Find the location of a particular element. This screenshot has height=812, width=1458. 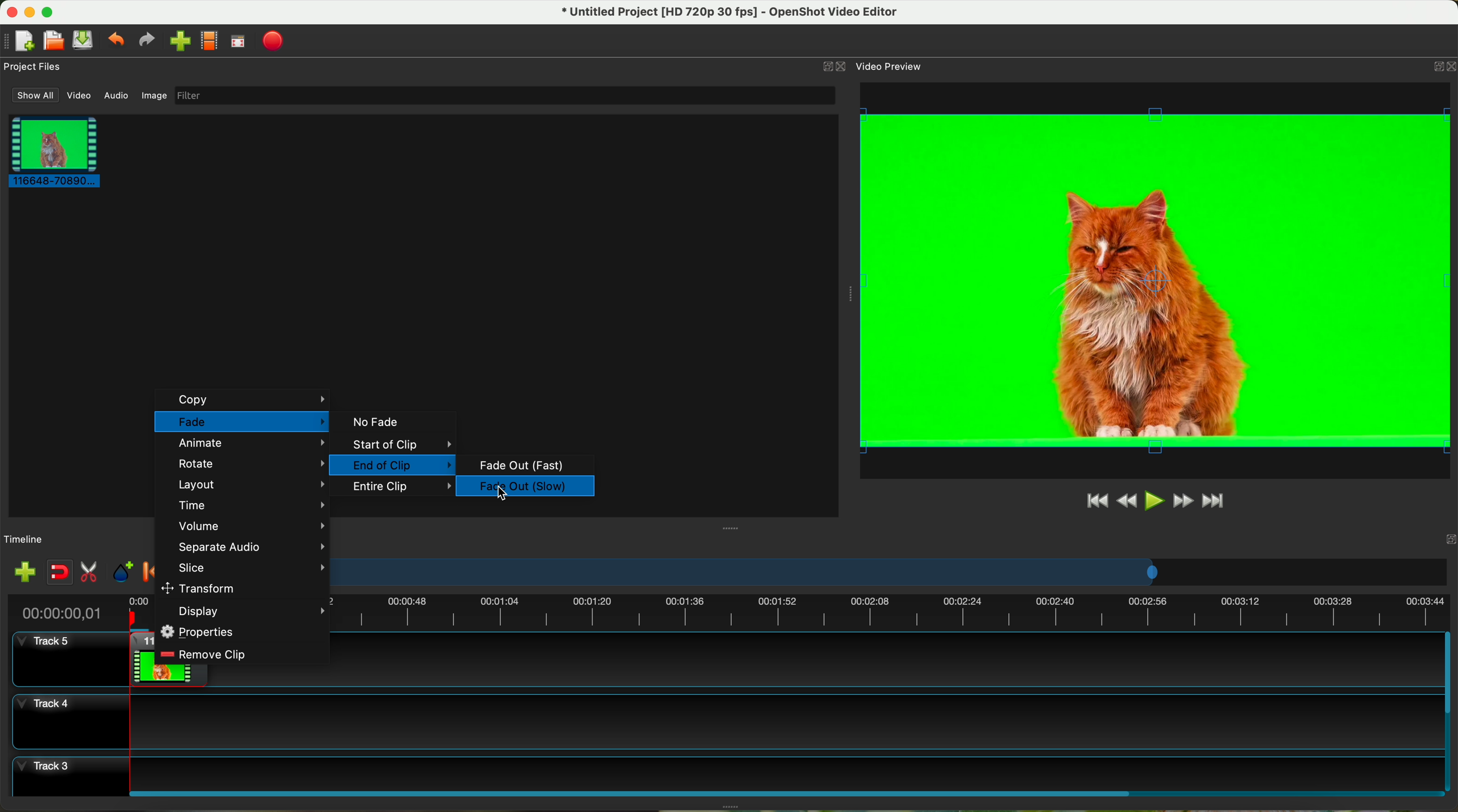

entire clip is located at coordinates (403, 488).